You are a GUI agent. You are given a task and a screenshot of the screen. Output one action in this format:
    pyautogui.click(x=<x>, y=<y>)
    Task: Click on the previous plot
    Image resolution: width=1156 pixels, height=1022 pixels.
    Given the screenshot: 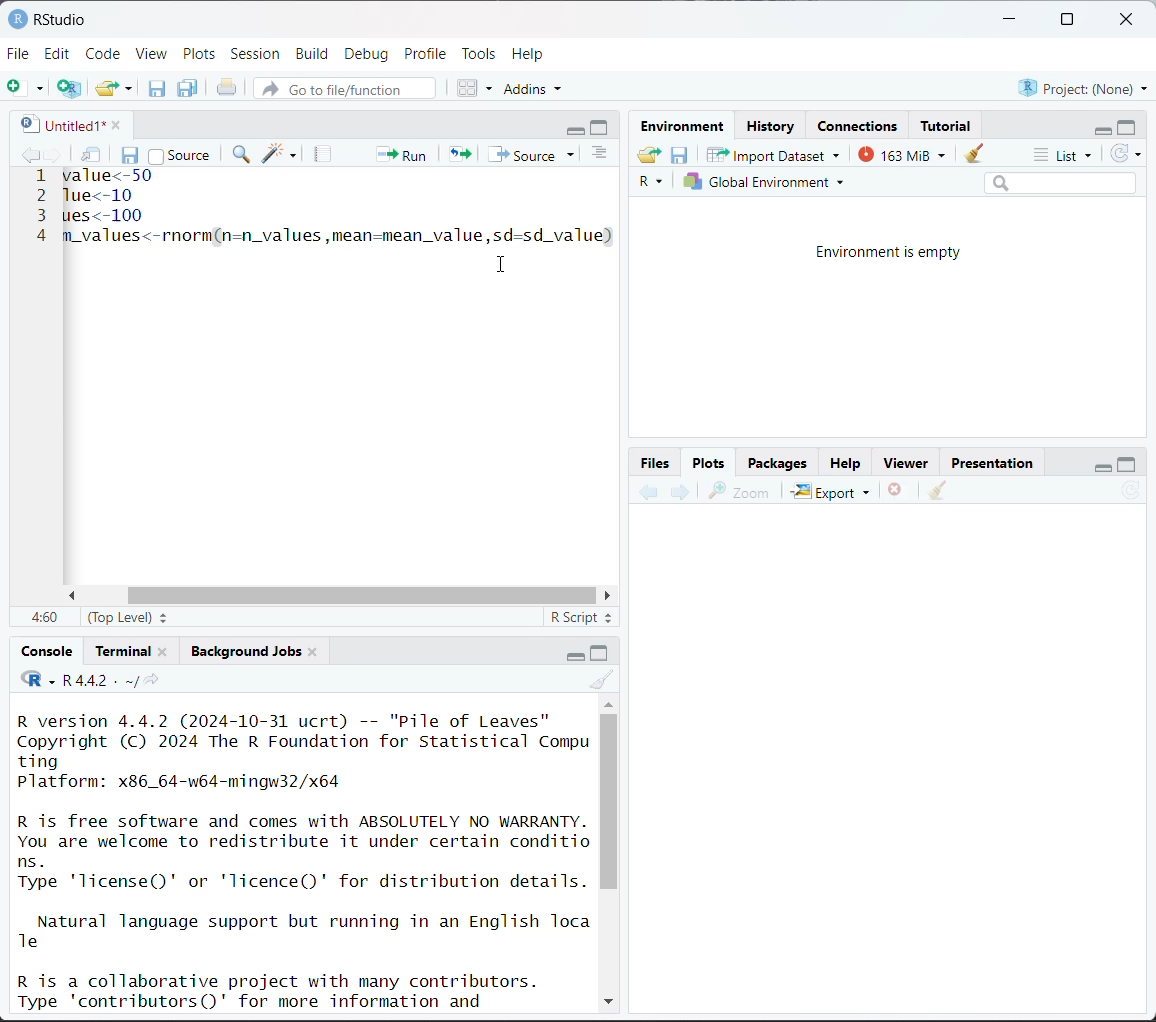 What is the action you would take?
    pyautogui.click(x=649, y=493)
    